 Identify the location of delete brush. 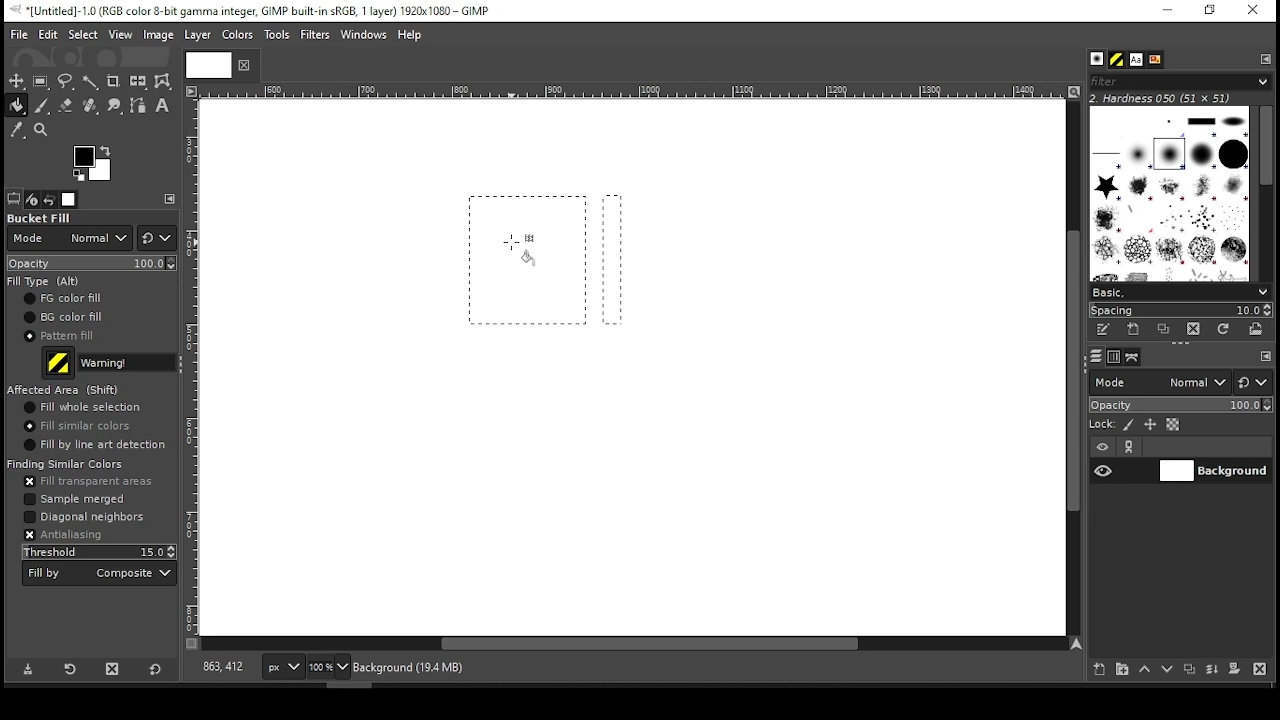
(1196, 330).